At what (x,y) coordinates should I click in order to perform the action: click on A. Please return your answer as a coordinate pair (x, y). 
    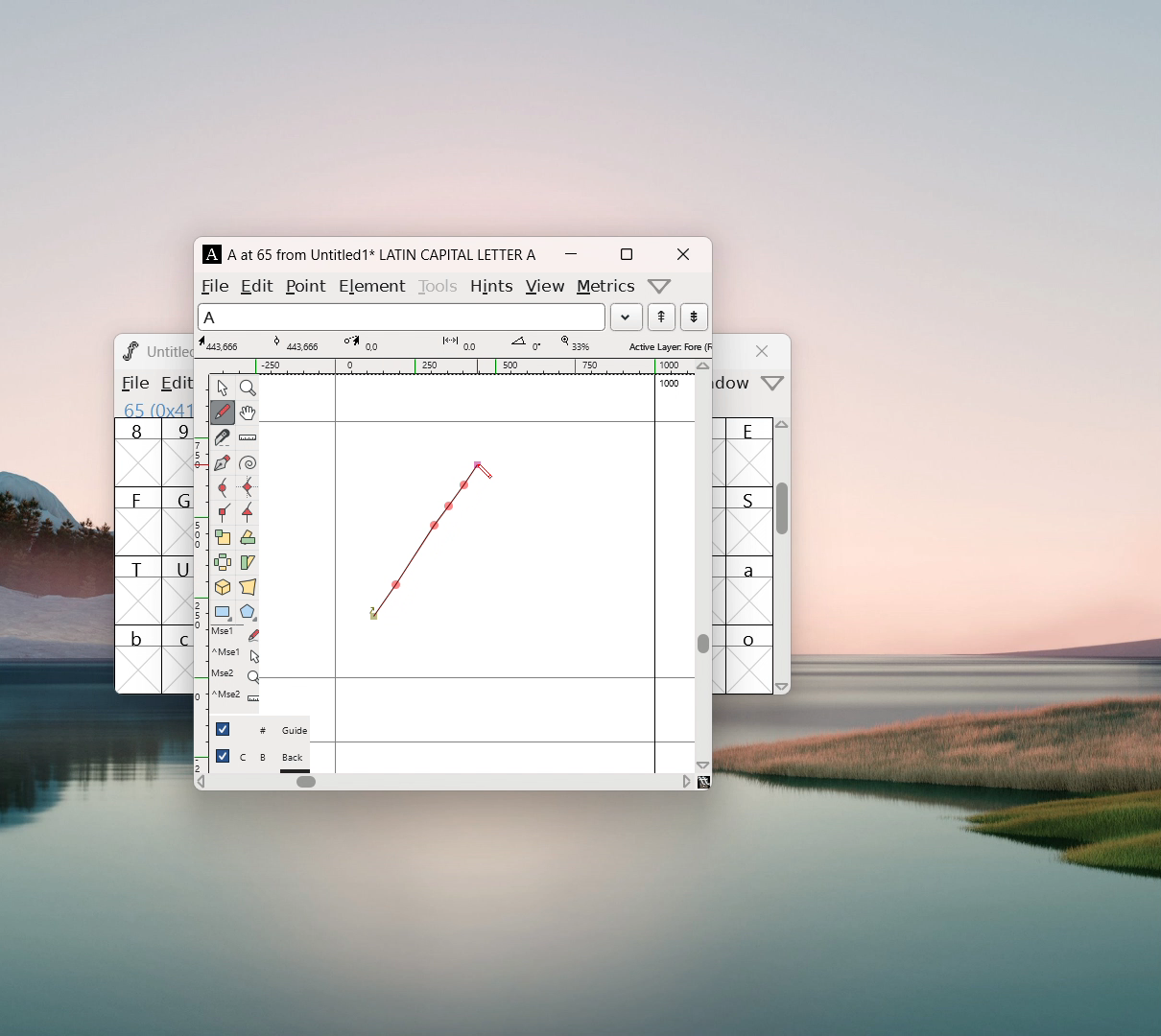
    Looking at the image, I should click on (213, 254).